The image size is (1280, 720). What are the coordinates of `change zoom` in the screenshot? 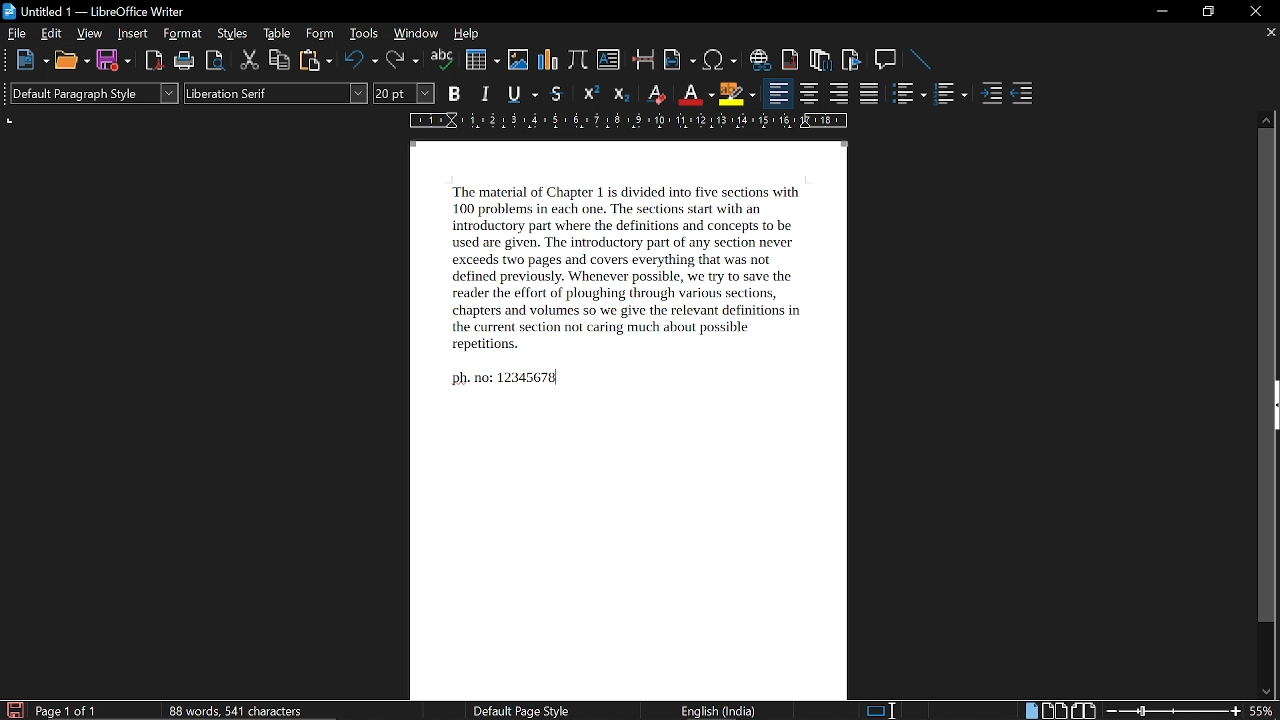 It's located at (1174, 712).